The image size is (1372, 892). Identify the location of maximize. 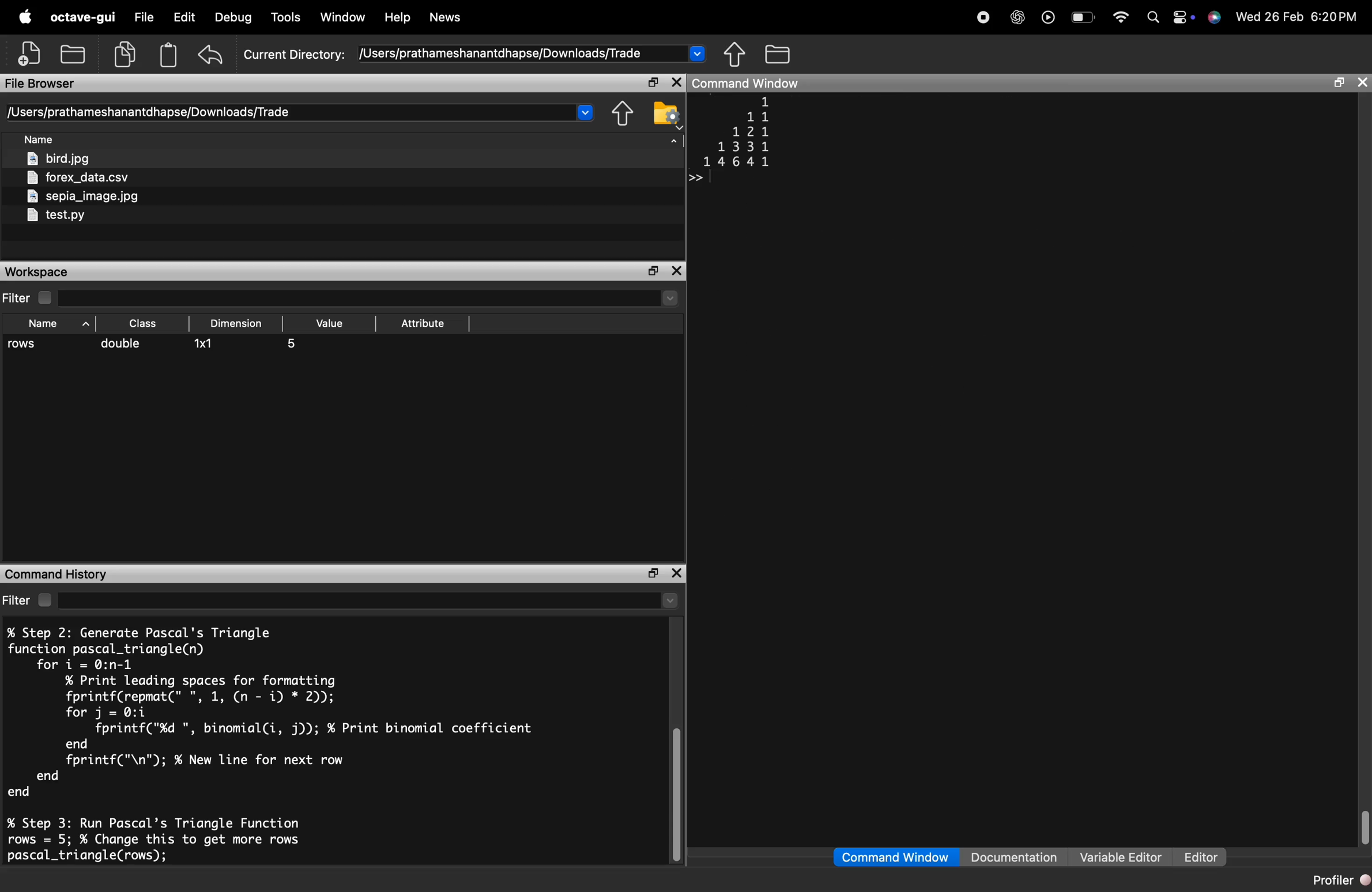
(653, 272).